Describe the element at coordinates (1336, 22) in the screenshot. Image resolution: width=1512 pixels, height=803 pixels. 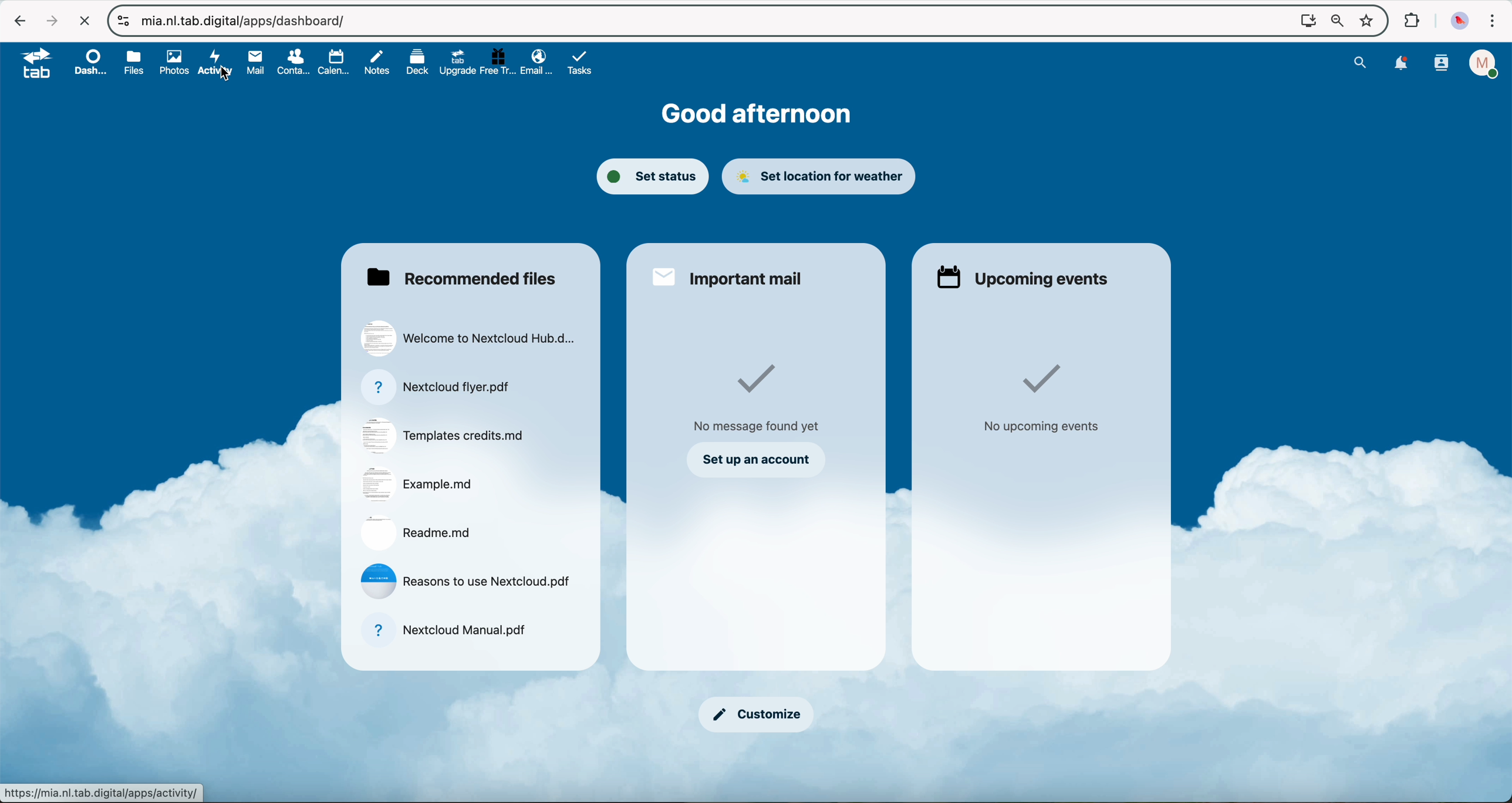
I see `zoom out` at that location.